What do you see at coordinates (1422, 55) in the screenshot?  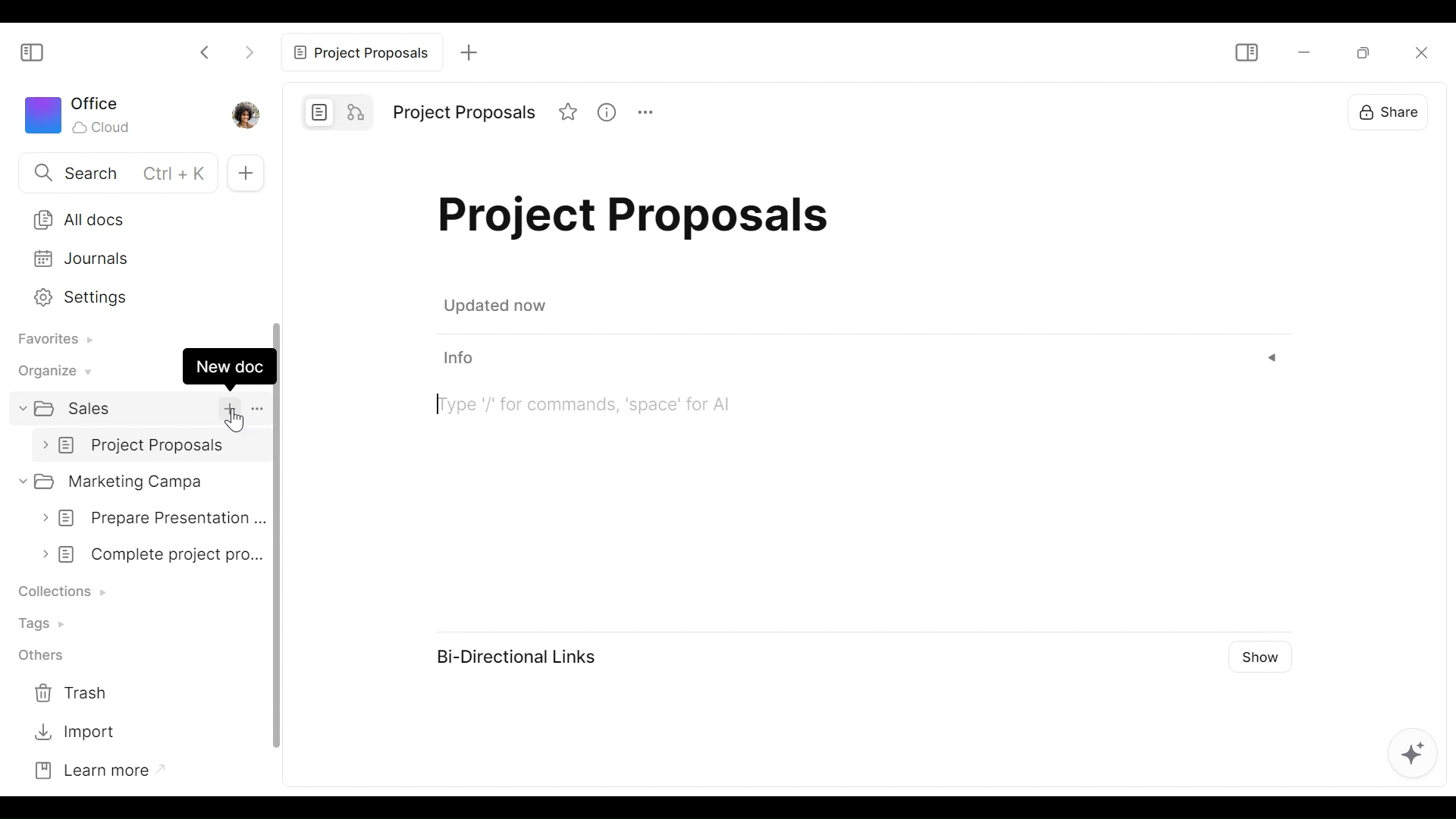 I see `Close` at bounding box center [1422, 55].